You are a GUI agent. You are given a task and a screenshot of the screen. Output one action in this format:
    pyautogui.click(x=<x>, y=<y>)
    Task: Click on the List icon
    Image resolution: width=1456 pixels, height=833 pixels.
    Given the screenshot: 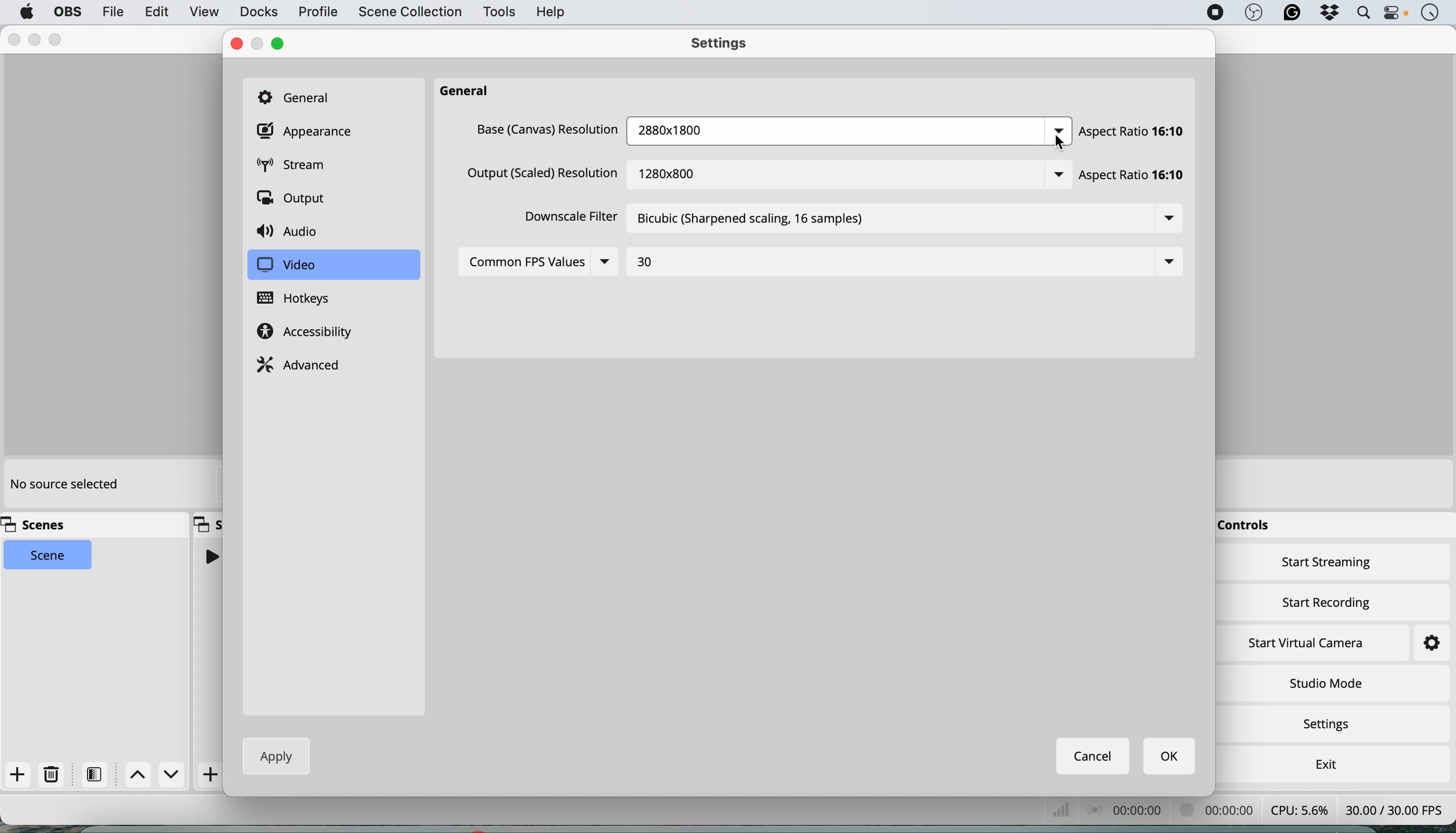 What is the action you would take?
    pyautogui.click(x=605, y=265)
    